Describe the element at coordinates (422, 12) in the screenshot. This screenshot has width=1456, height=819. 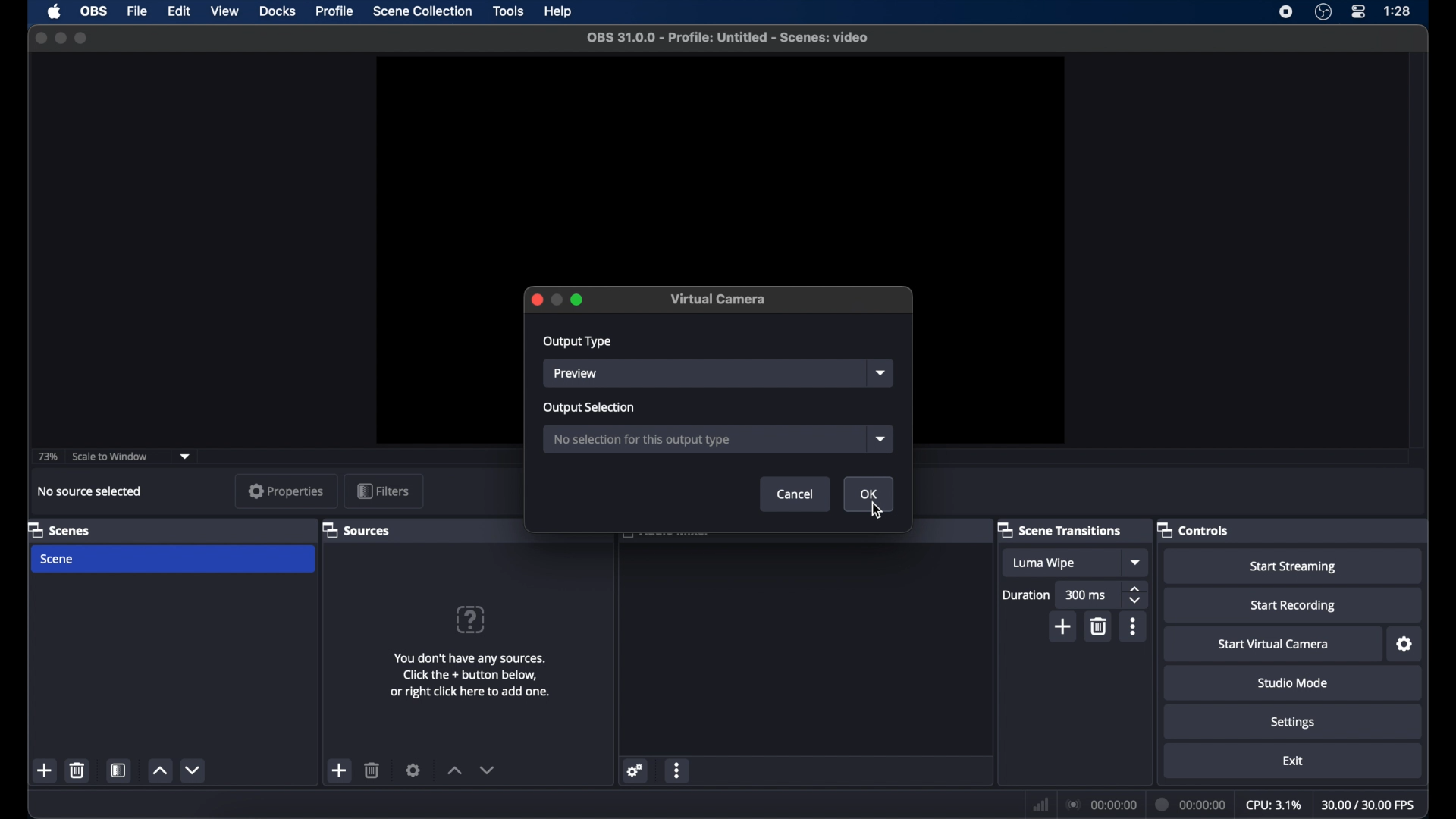
I see `scene collection` at that location.